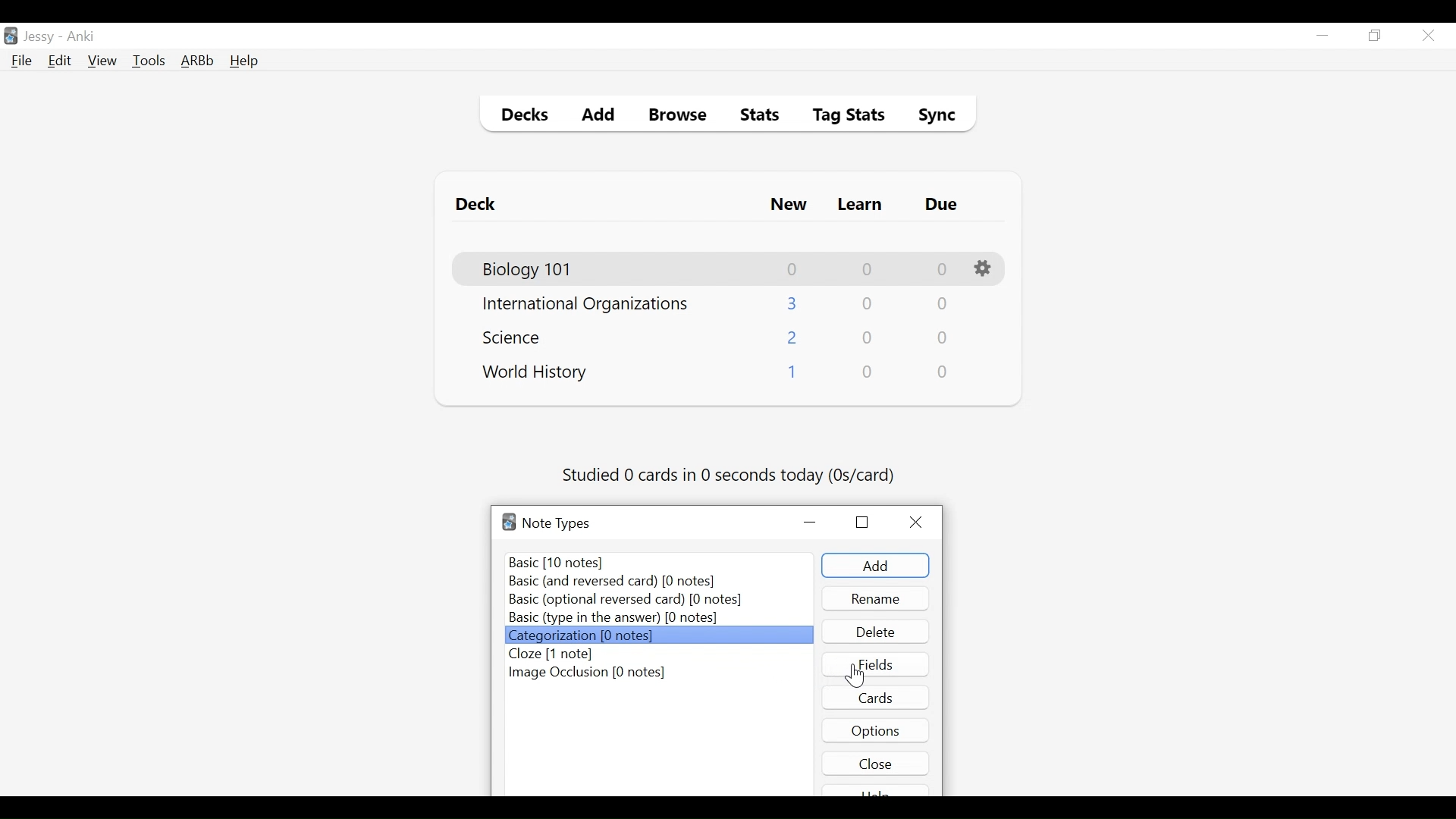 This screenshot has height=819, width=1456. I want to click on Due Card Count, so click(944, 372).